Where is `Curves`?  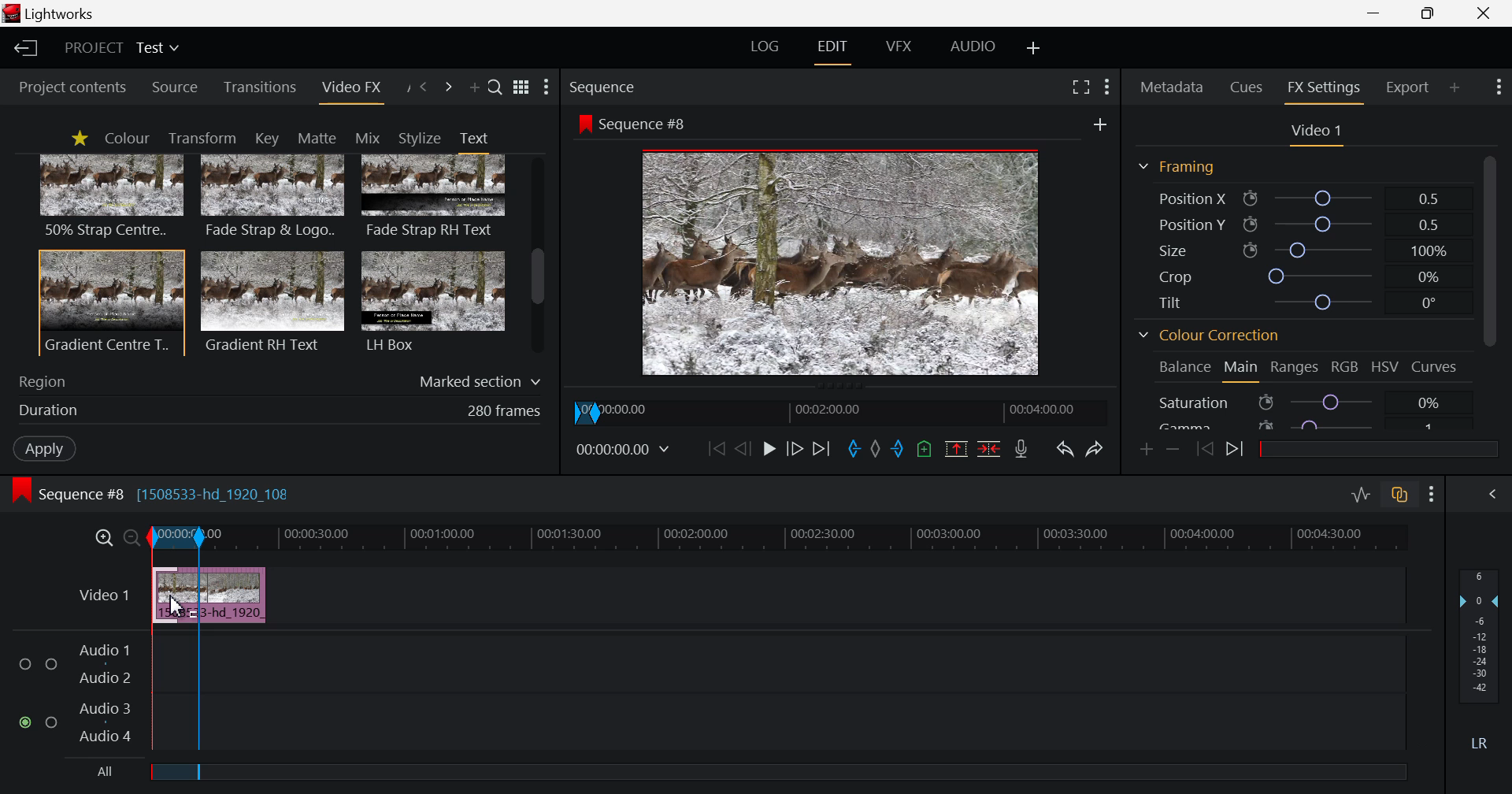 Curves is located at coordinates (1437, 365).